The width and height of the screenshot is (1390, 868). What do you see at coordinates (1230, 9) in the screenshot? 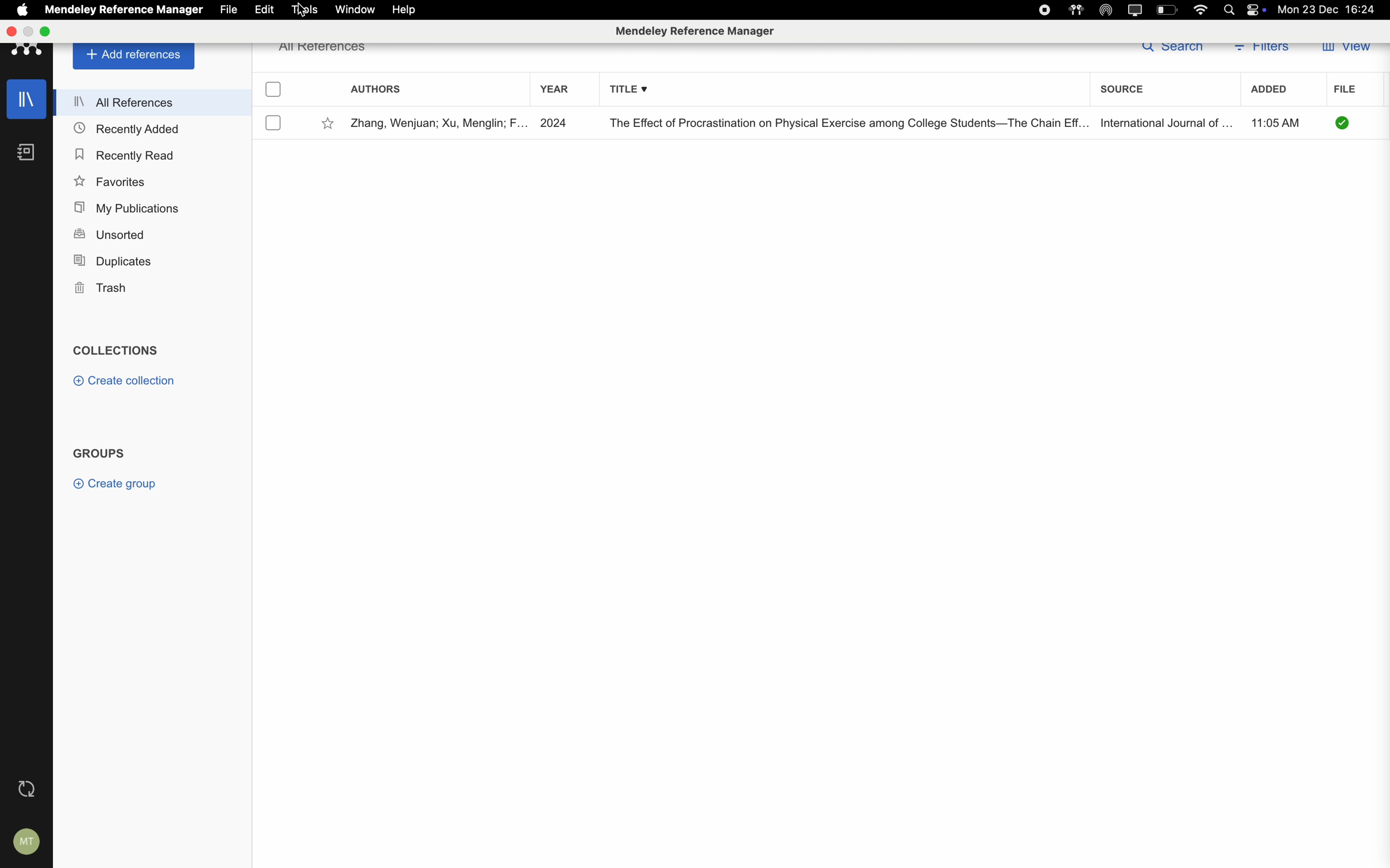
I see `spotlight search` at bounding box center [1230, 9].